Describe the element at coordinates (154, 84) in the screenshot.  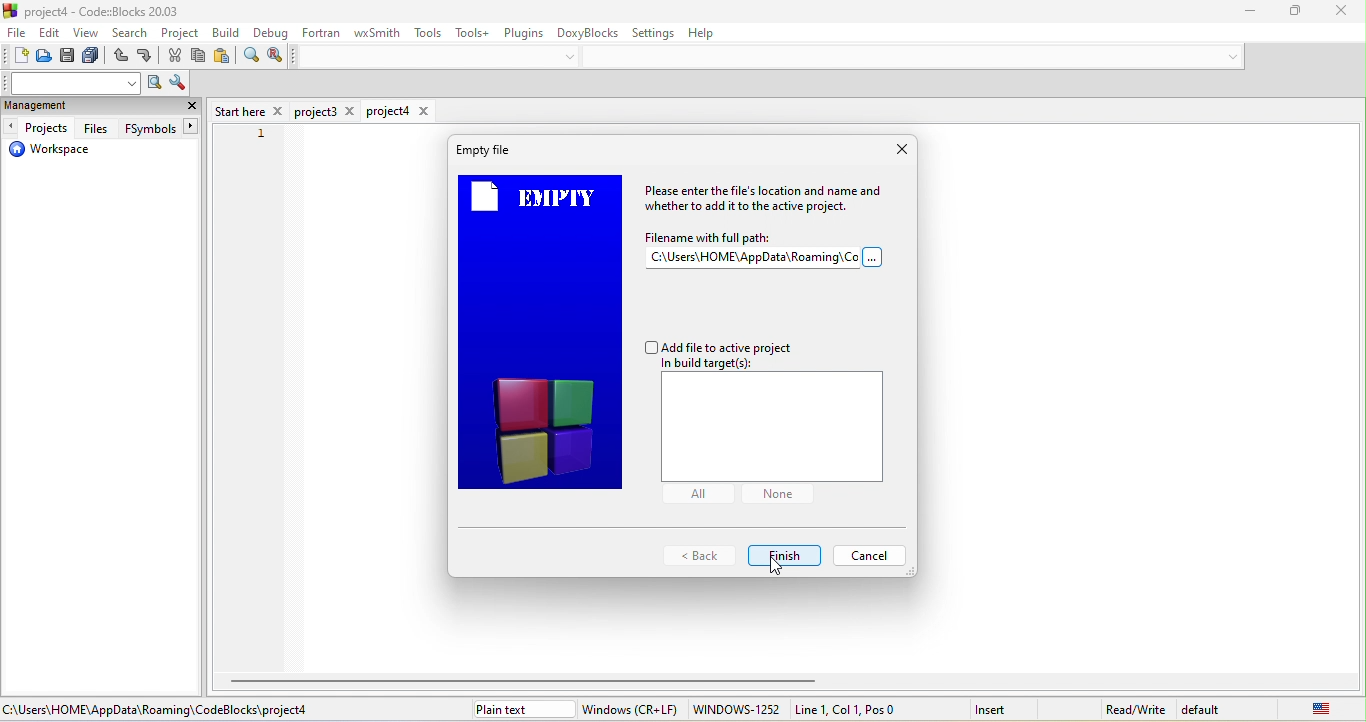
I see `run search` at that location.